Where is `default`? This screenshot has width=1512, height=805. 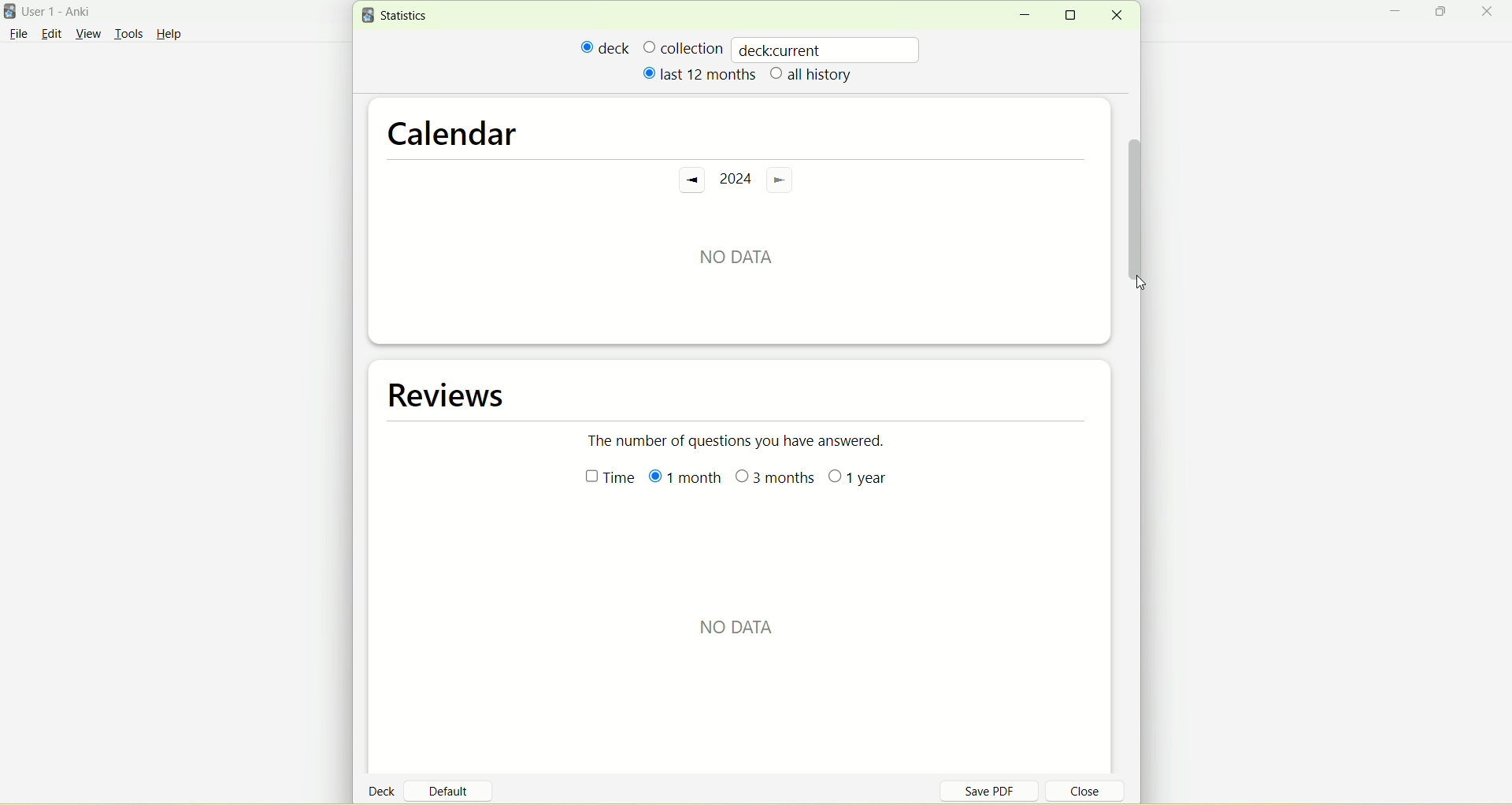
default is located at coordinates (454, 785).